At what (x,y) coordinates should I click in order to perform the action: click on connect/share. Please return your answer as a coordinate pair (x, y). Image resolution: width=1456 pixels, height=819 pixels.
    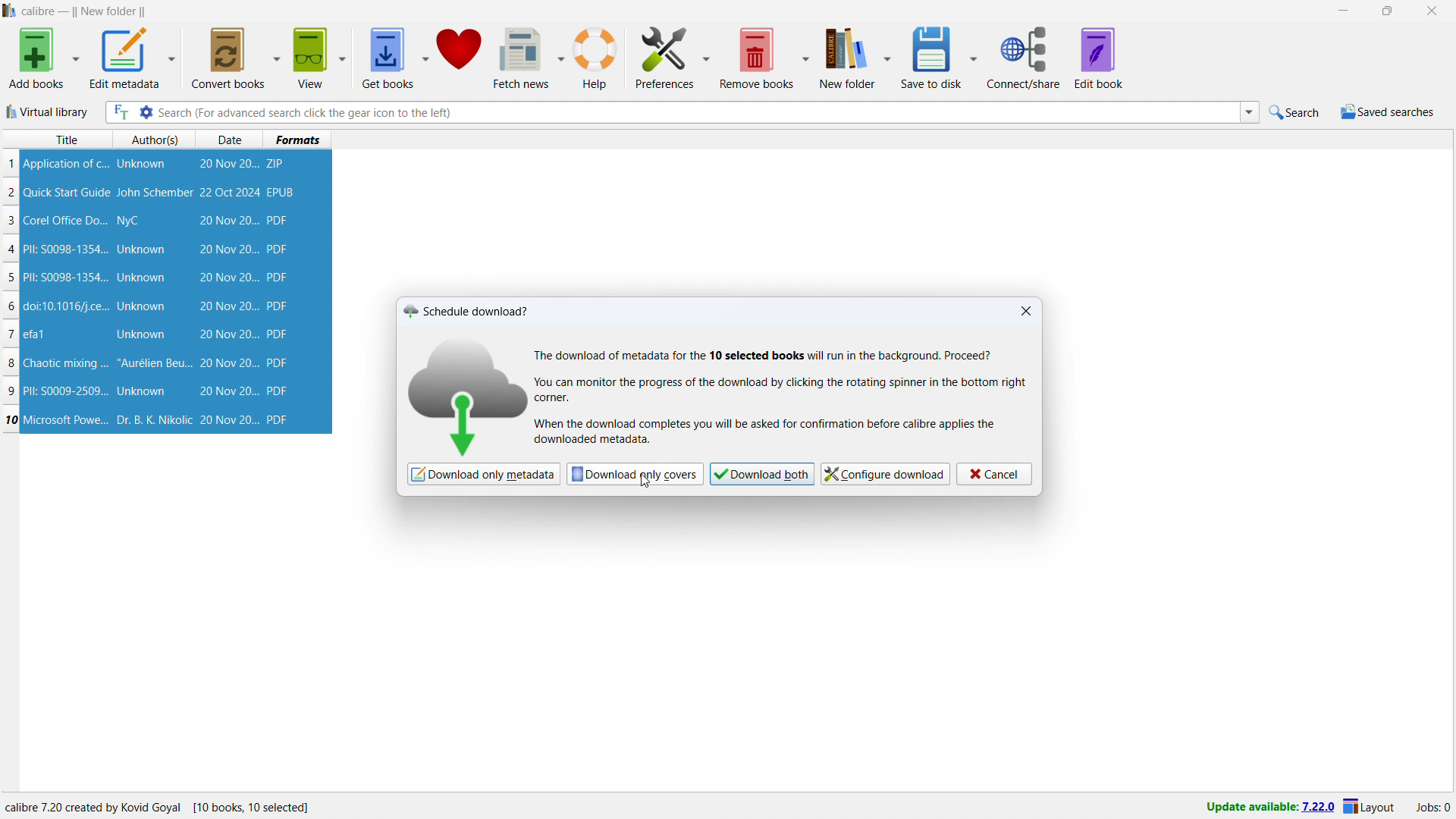
    Looking at the image, I should click on (1024, 57).